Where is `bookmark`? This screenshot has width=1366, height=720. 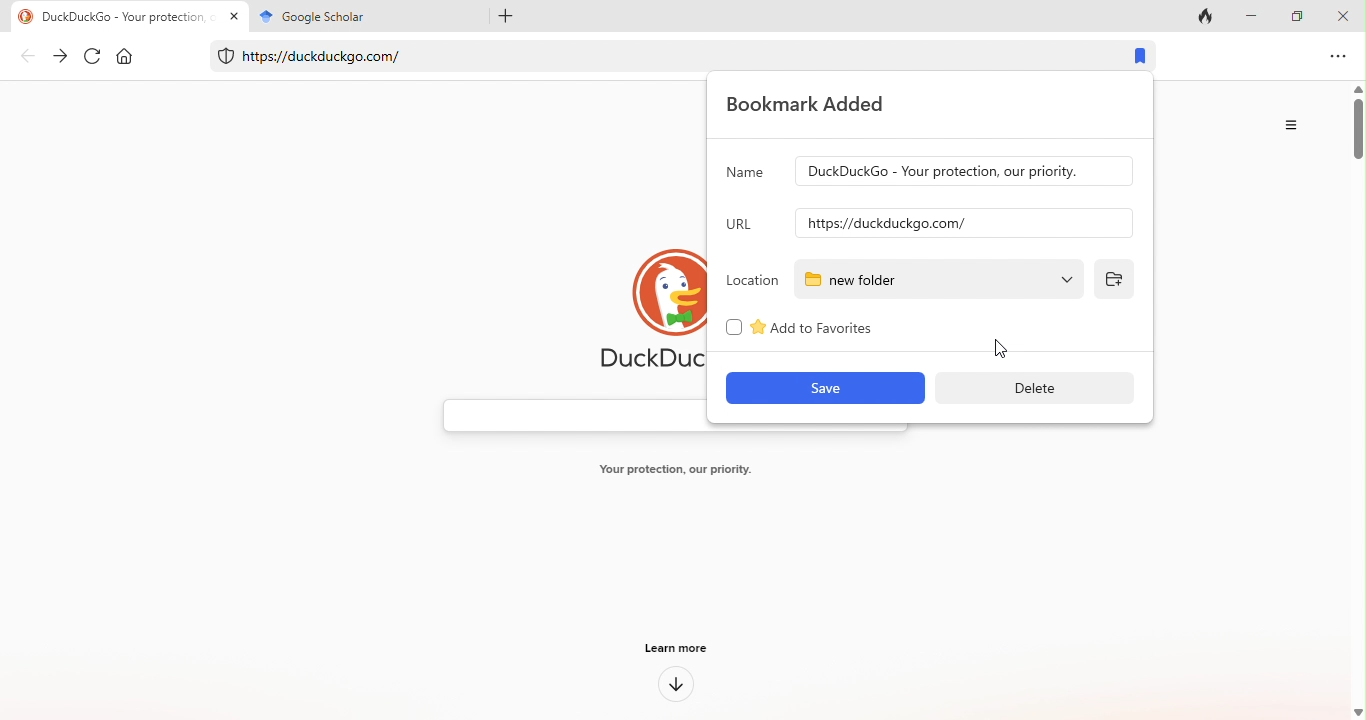 bookmark is located at coordinates (1139, 57).